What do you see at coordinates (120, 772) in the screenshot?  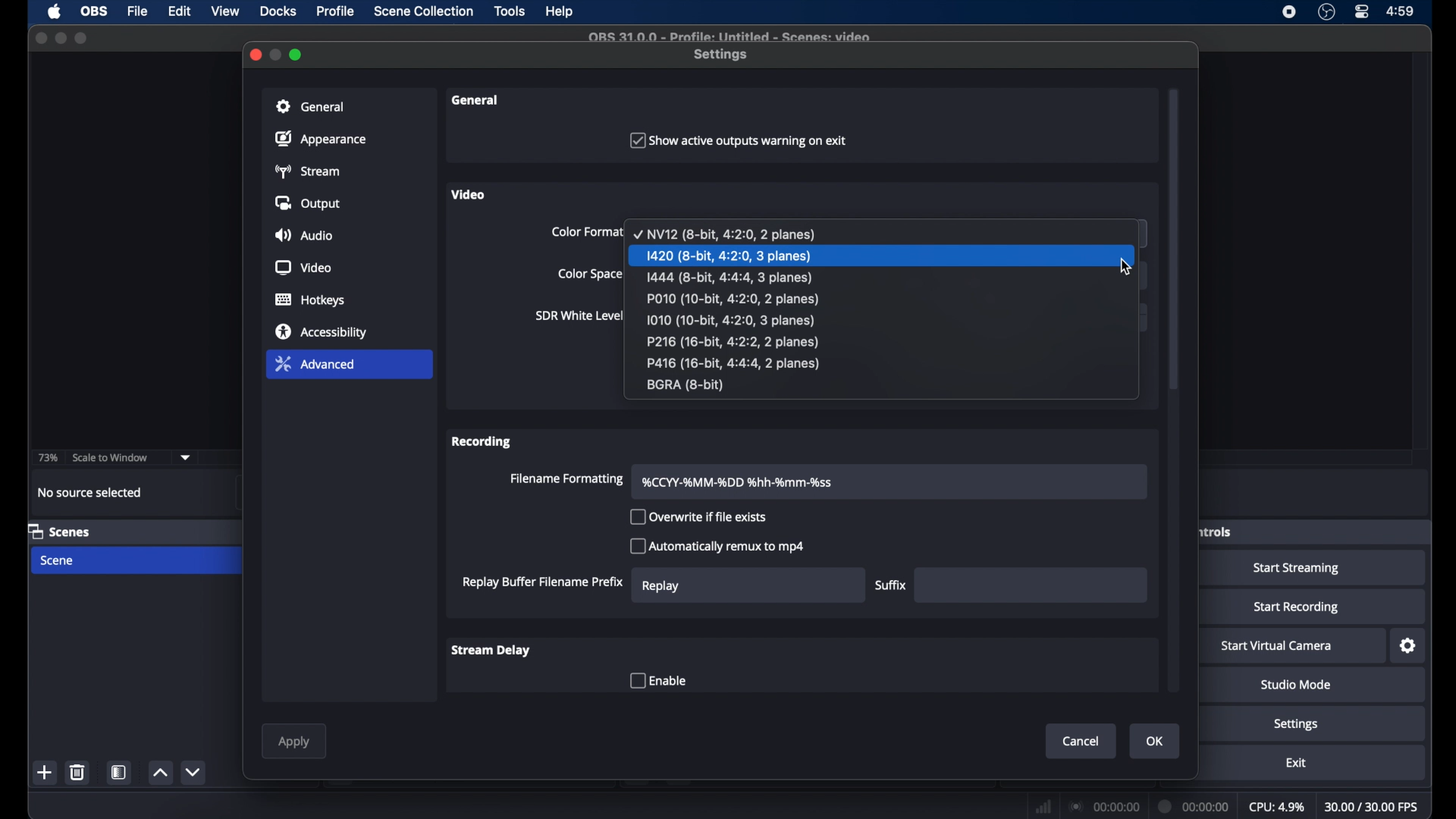 I see `scene filters` at bounding box center [120, 772].